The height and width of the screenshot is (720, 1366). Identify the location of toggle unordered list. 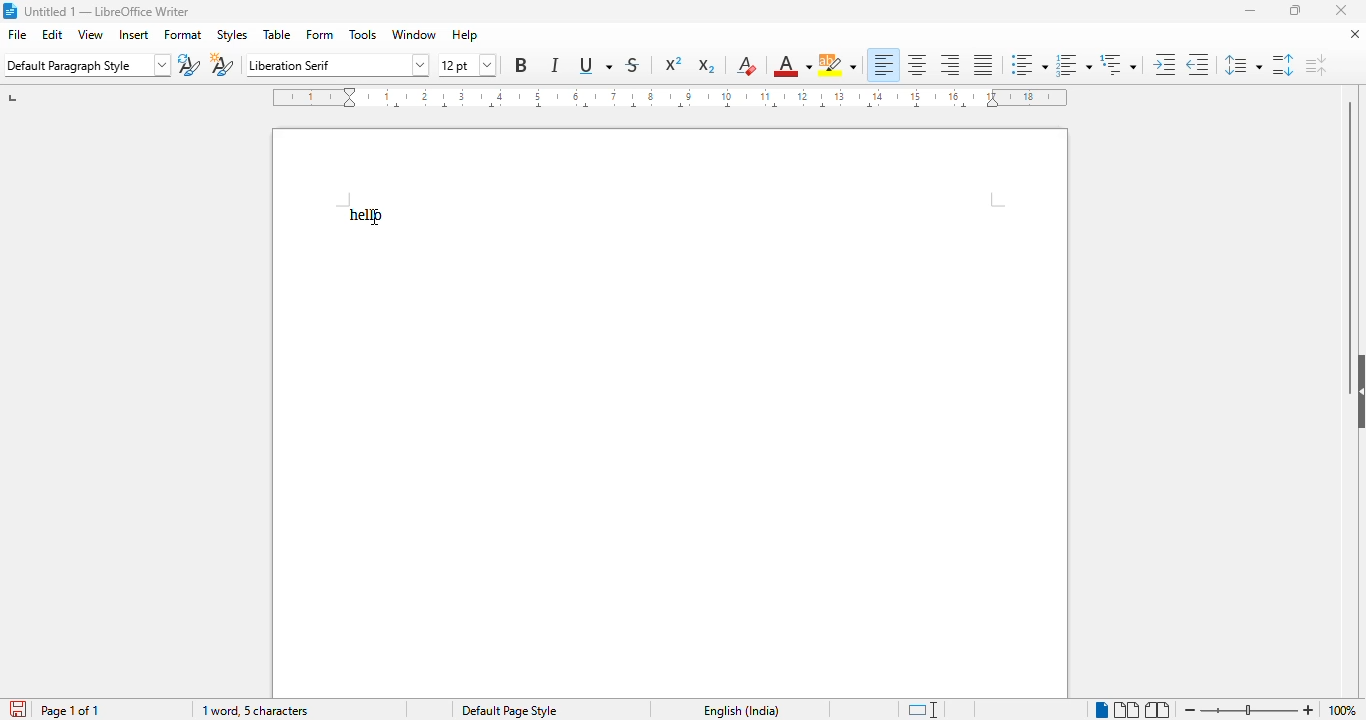
(1029, 64).